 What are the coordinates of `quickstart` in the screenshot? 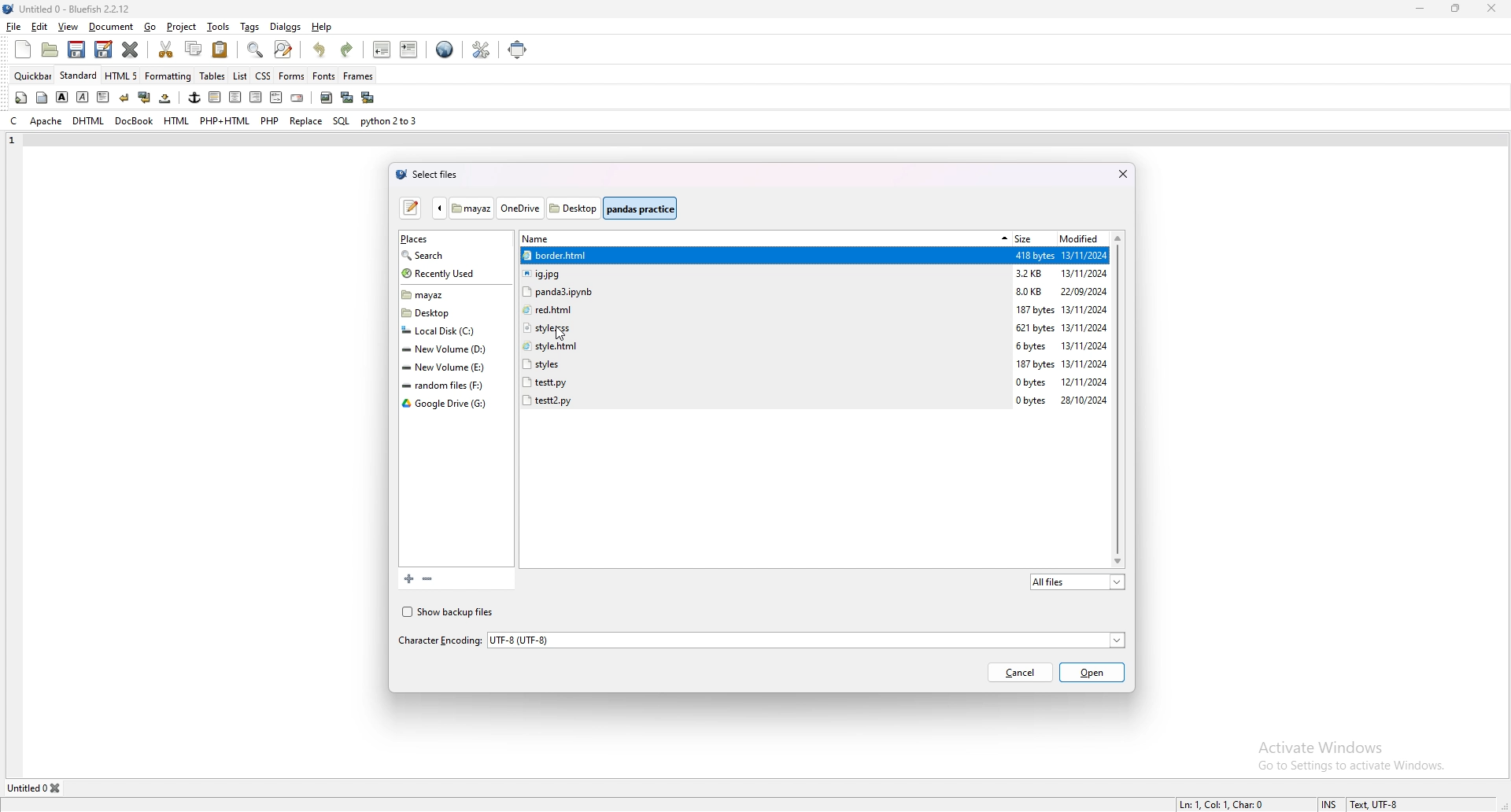 It's located at (20, 98).